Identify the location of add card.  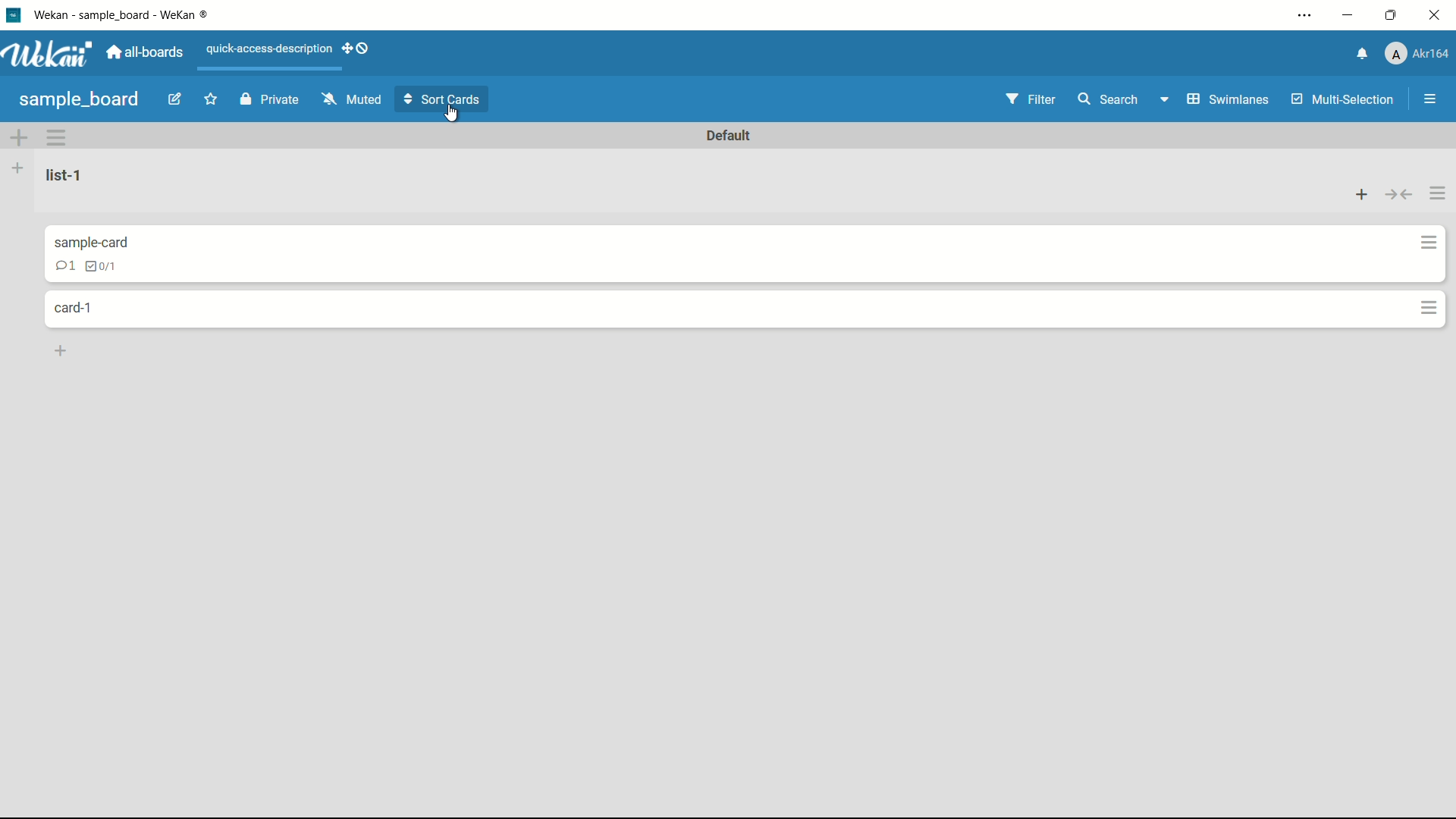
(61, 352).